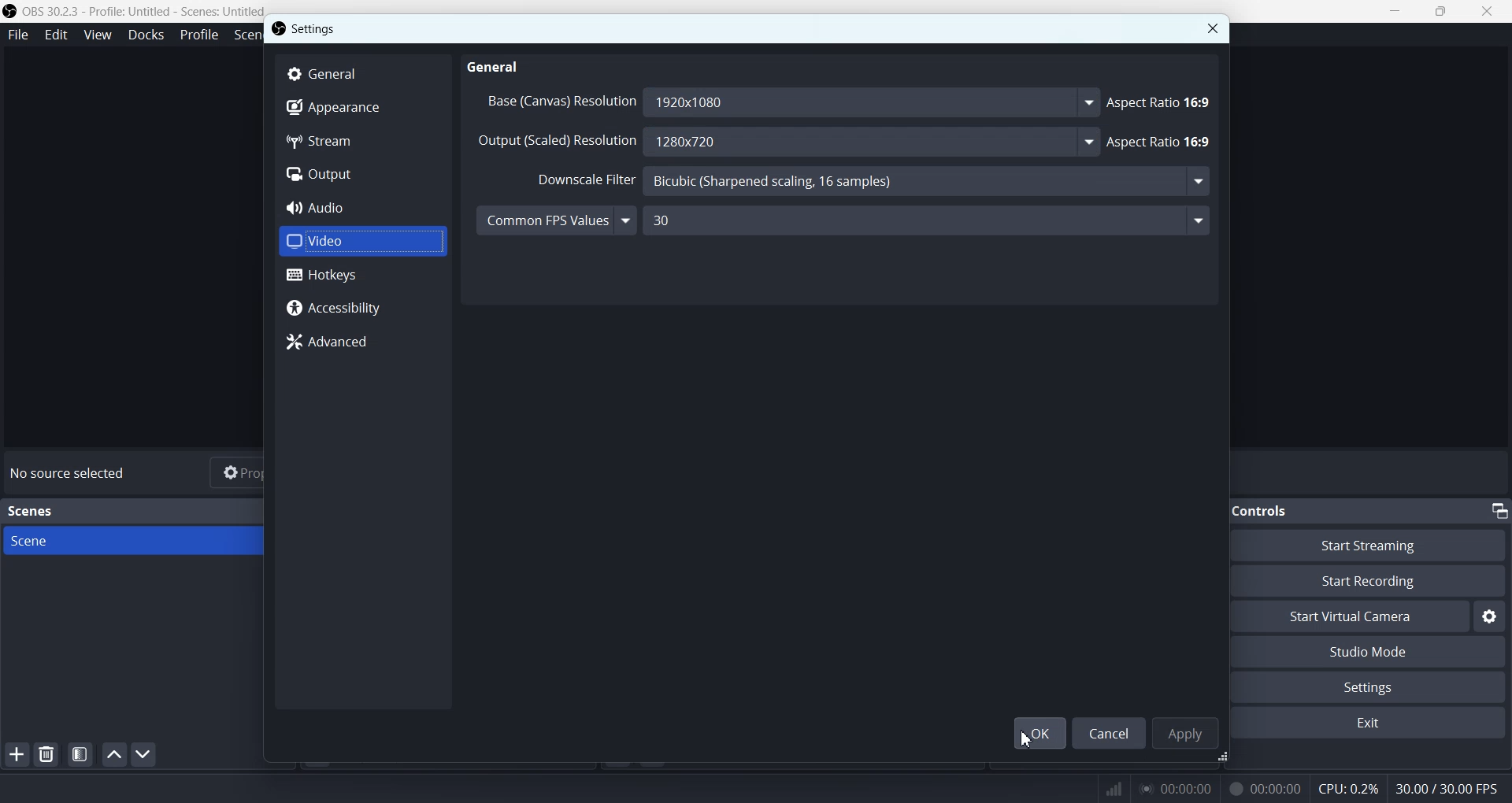 The width and height of the screenshot is (1512, 803). Describe the element at coordinates (97, 34) in the screenshot. I see `View` at that location.